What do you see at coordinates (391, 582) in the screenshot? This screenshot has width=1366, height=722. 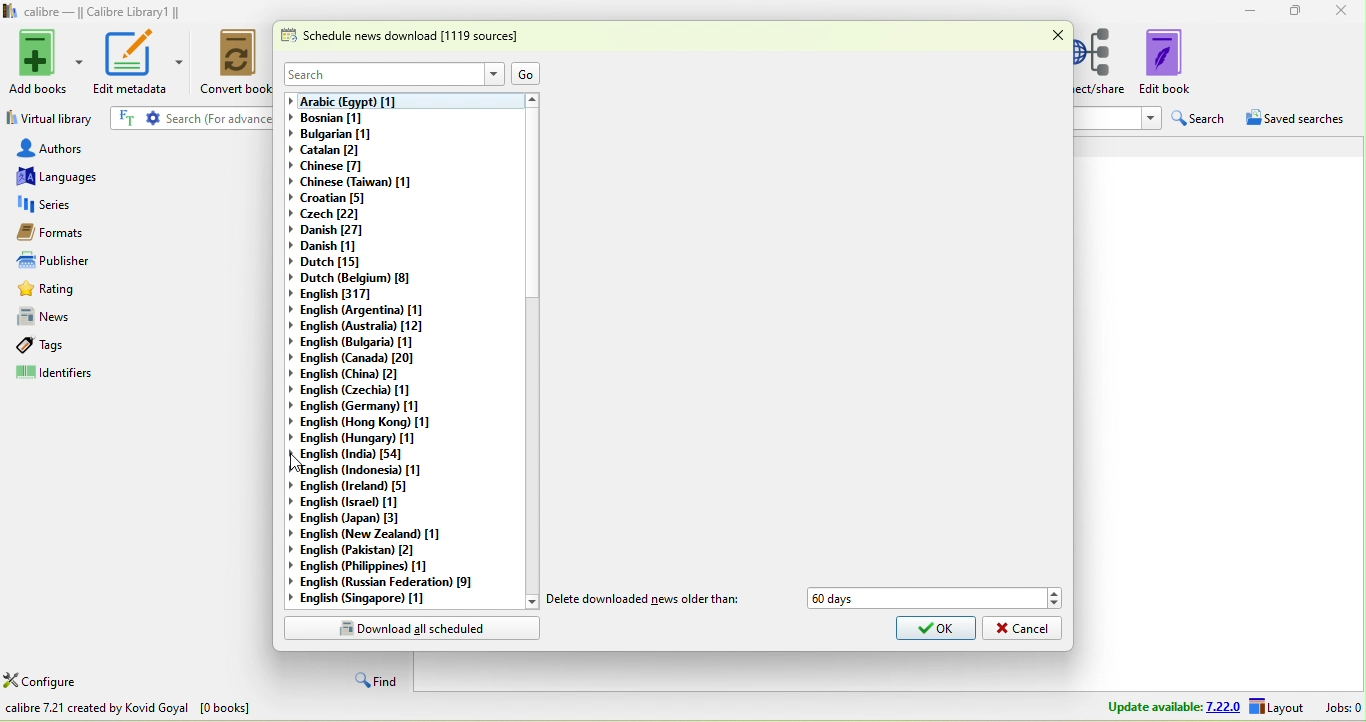 I see `english(russian federation)[9]` at bounding box center [391, 582].